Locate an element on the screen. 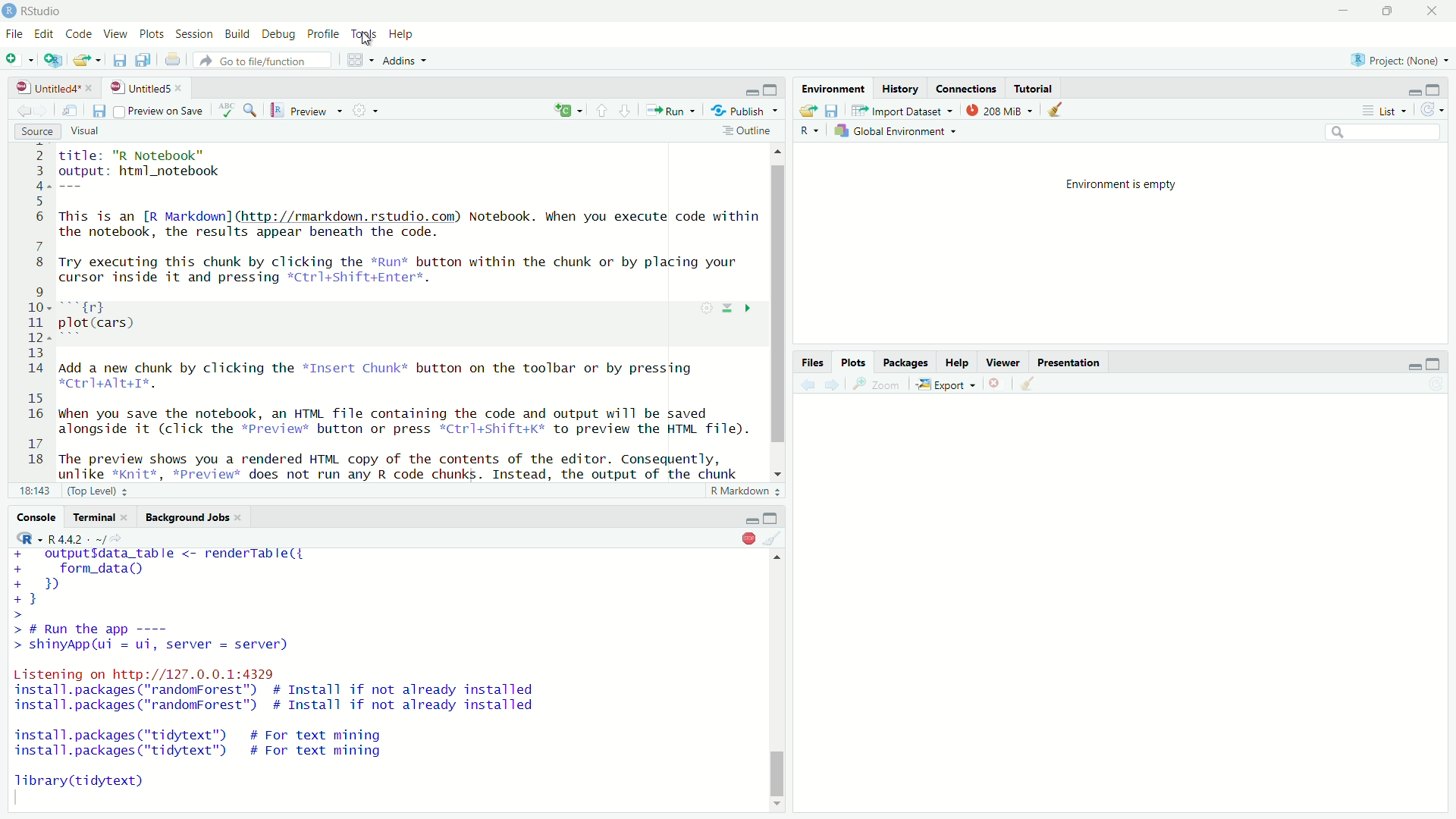  Maximize is located at coordinates (771, 518).